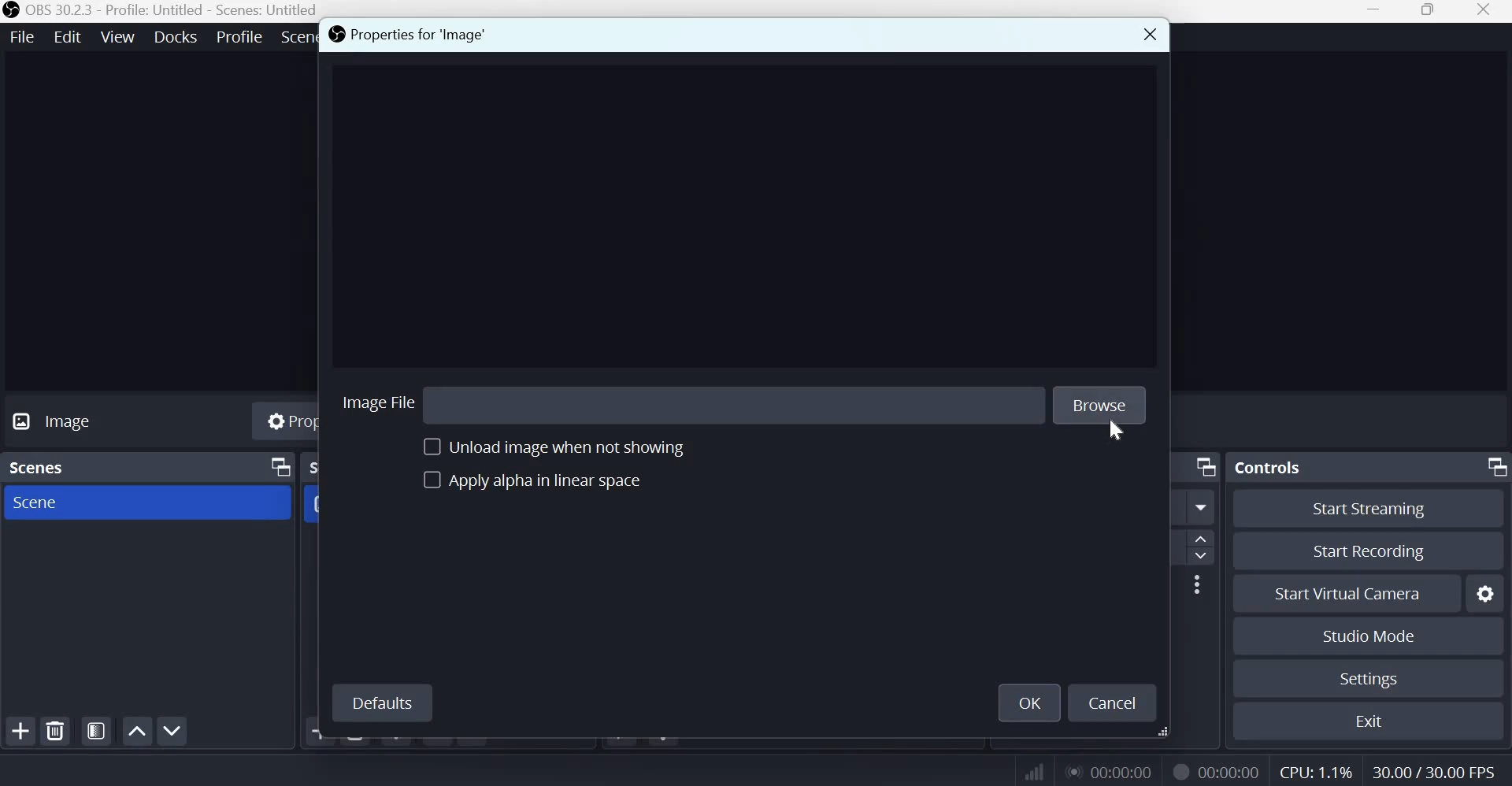 The image size is (1512, 786). I want to click on Windows size toggle, so click(1428, 11).